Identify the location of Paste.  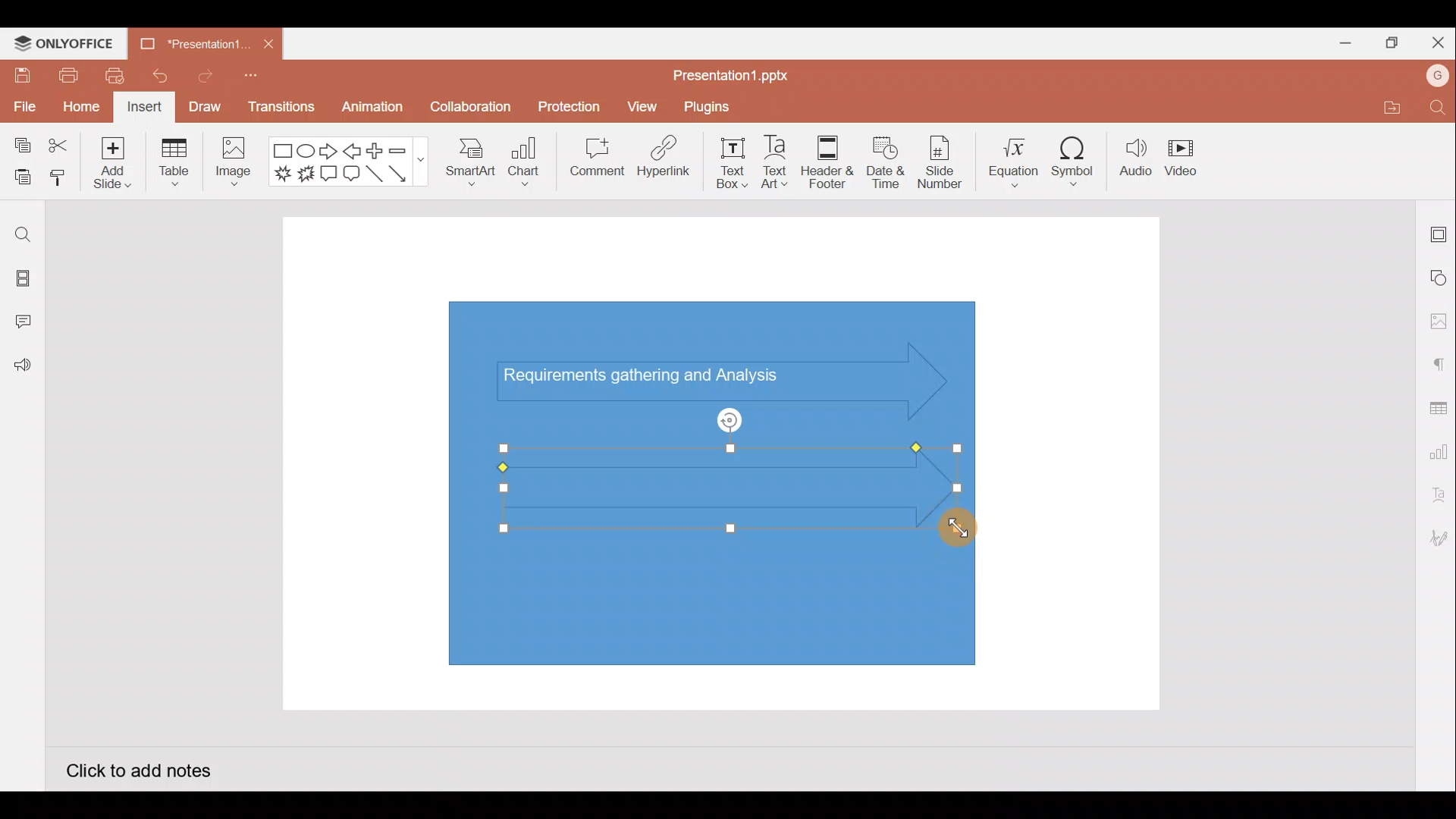
(19, 178).